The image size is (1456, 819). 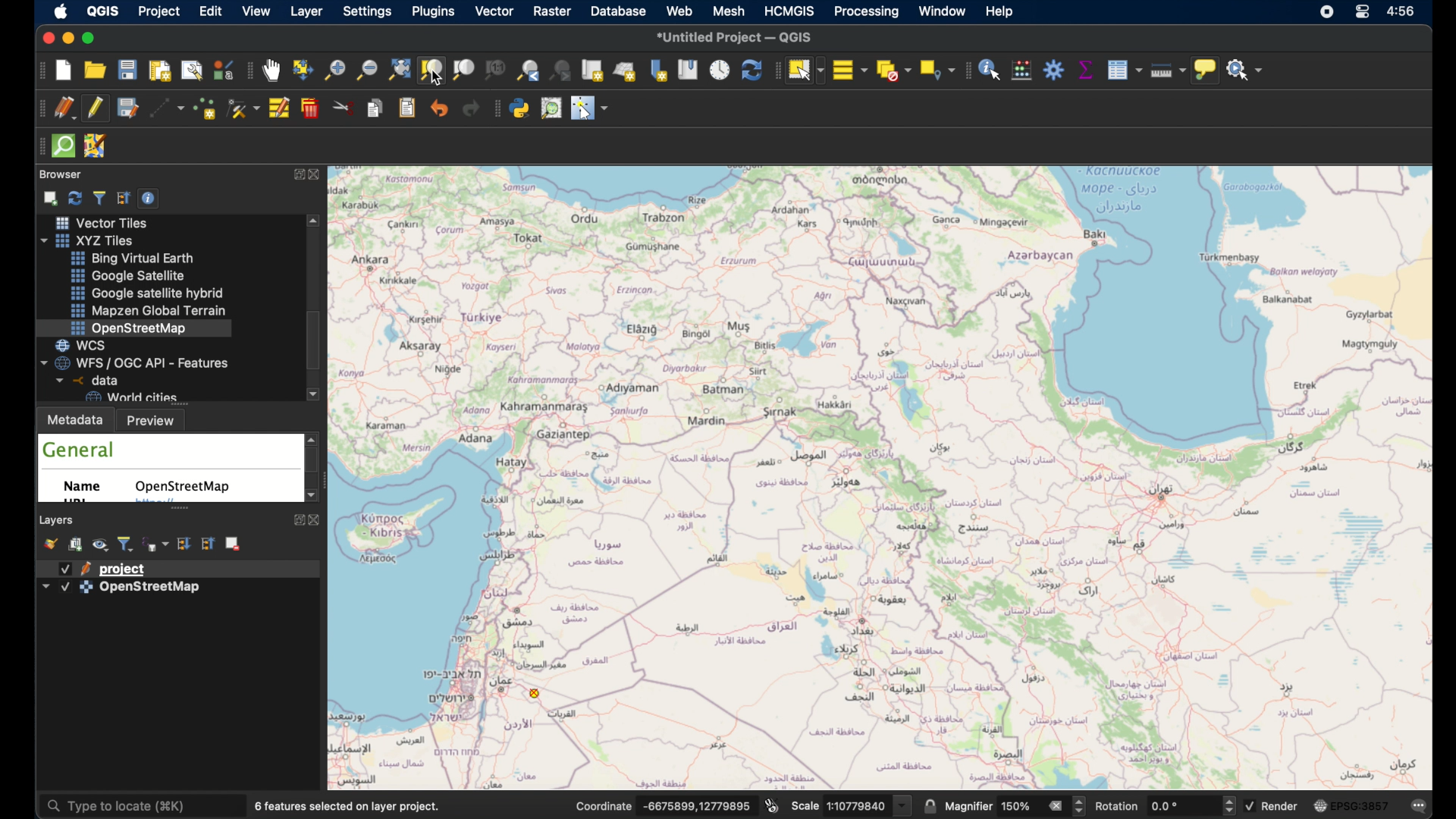 I want to click on modify attributes, so click(x=281, y=109).